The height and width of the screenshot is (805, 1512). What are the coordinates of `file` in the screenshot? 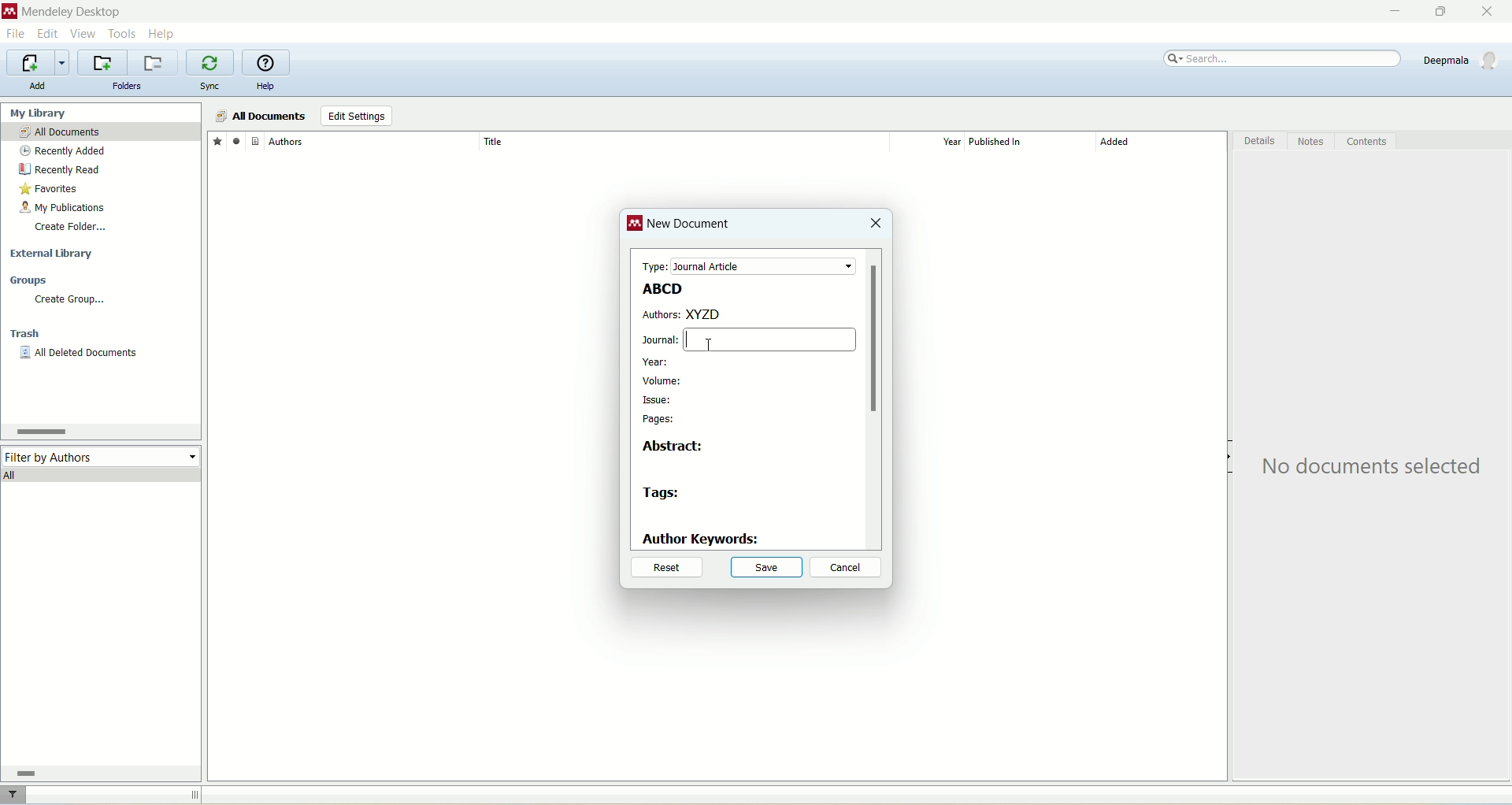 It's located at (15, 35).